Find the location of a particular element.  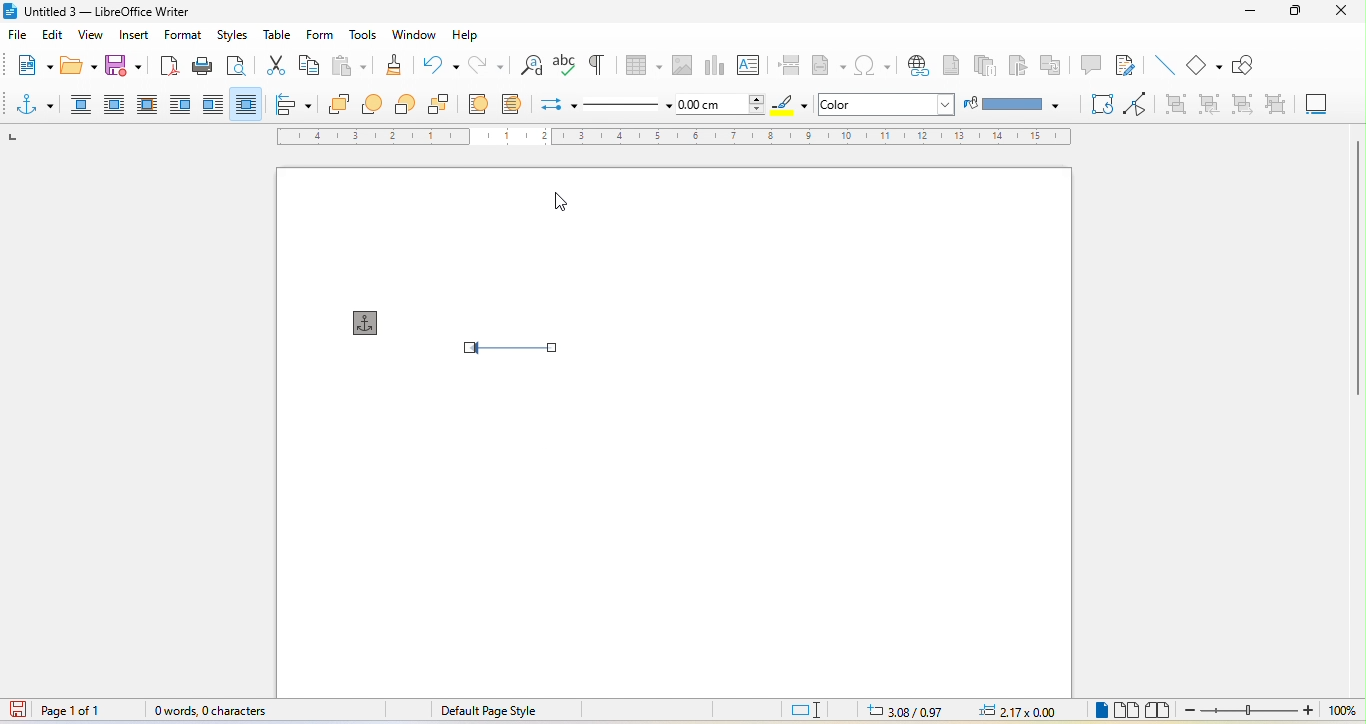

page 1 of 1 is located at coordinates (88, 711).